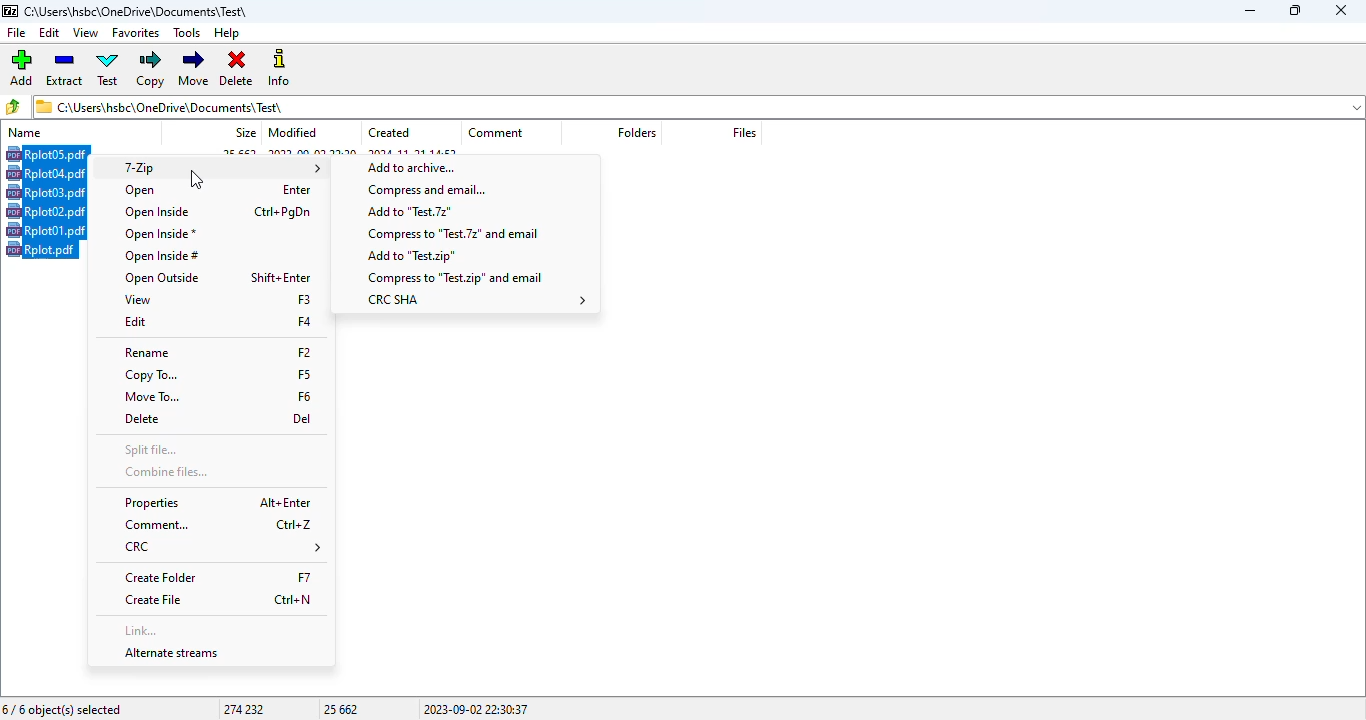 The width and height of the screenshot is (1366, 720). Describe the element at coordinates (1293, 10) in the screenshot. I see `maximize` at that location.